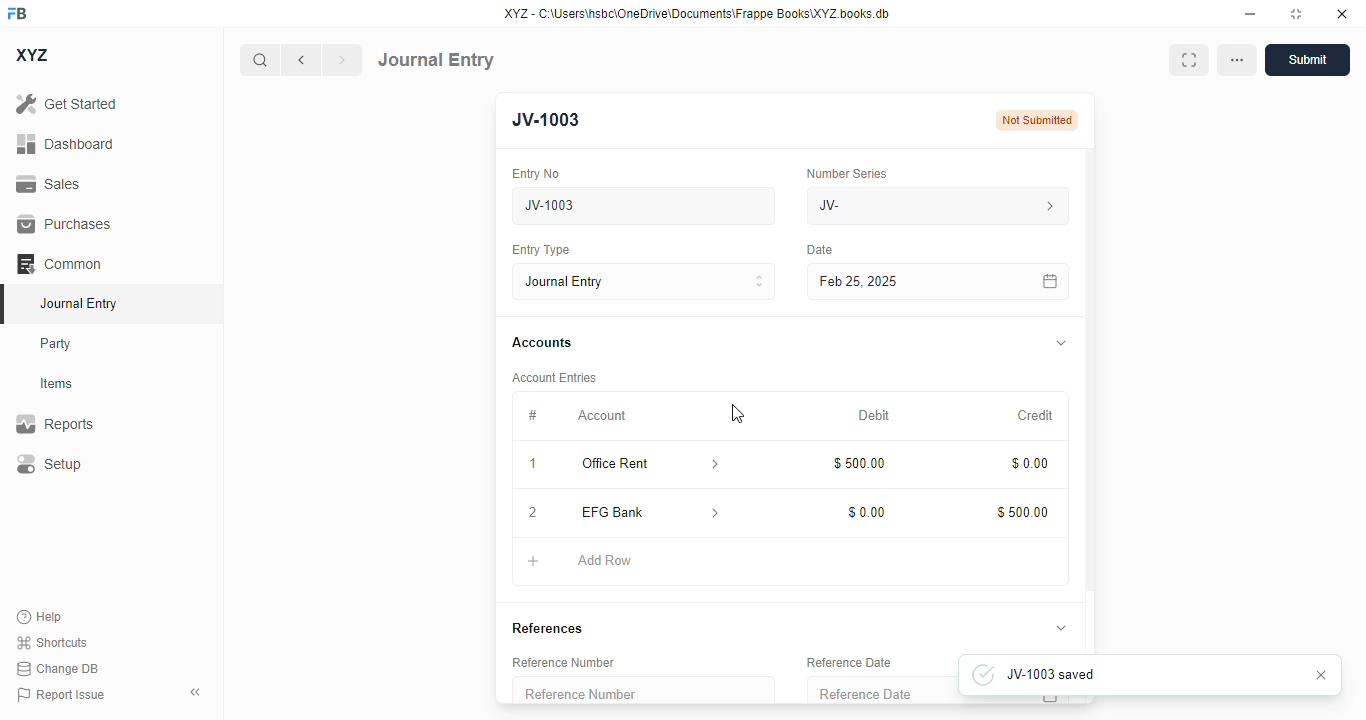 The height and width of the screenshot is (720, 1366). I want to click on entry type, so click(643, 281).